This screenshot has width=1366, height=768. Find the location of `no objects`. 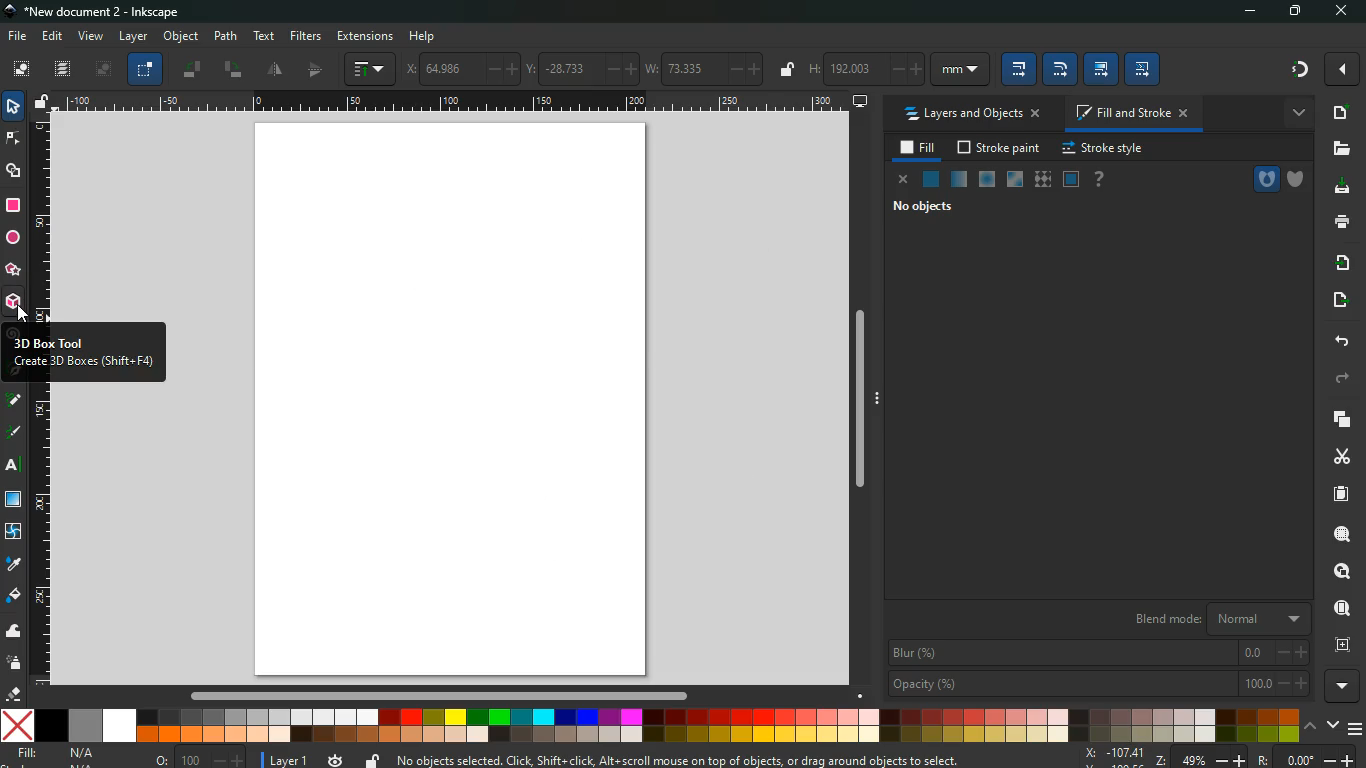

no objects is located at coordinates (922, 208).